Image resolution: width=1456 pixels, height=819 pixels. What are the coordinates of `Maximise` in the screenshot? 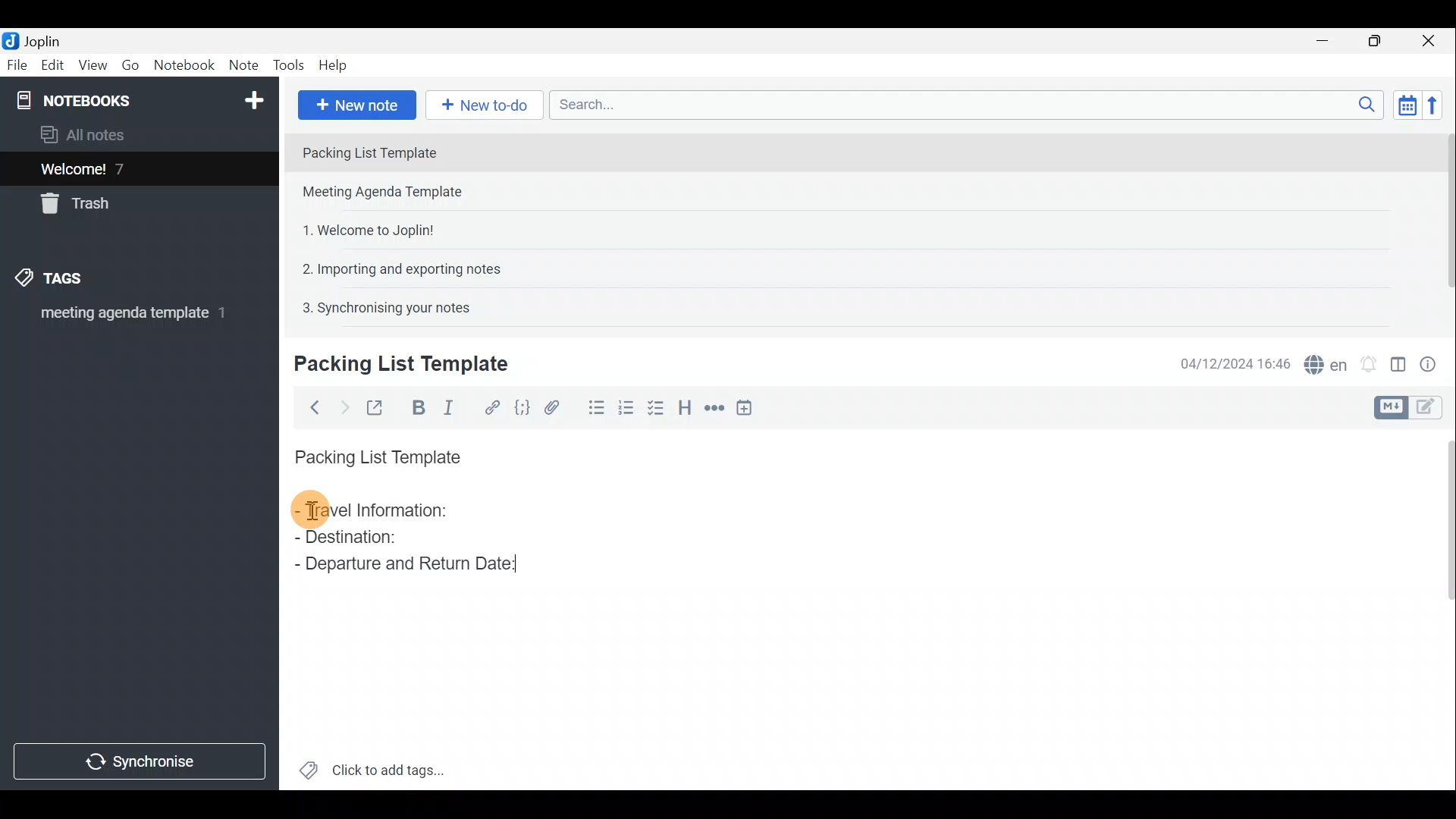 It's located at (1380, 41).